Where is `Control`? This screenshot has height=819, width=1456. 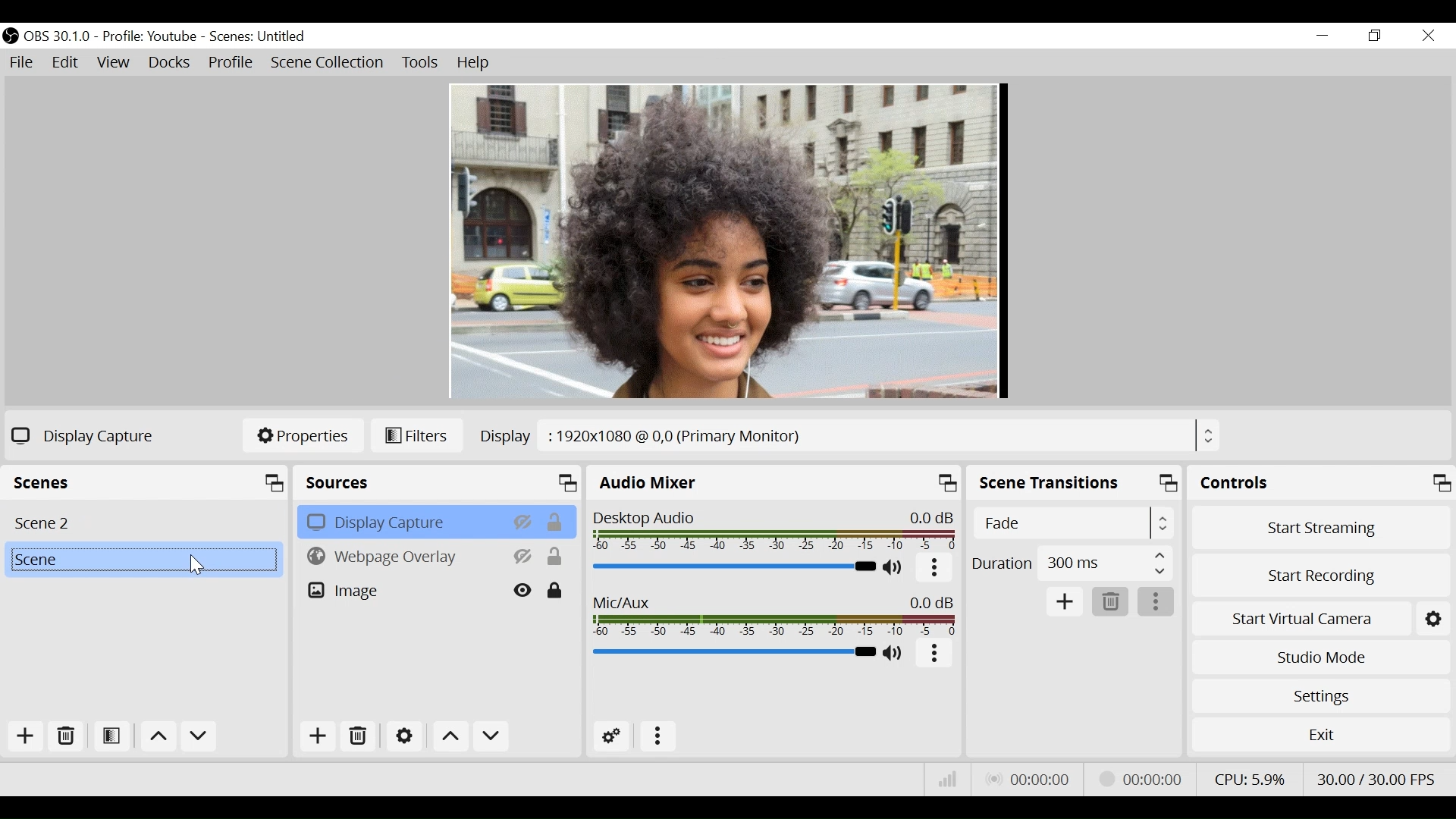
Control is located at coordinates (1320, 482).